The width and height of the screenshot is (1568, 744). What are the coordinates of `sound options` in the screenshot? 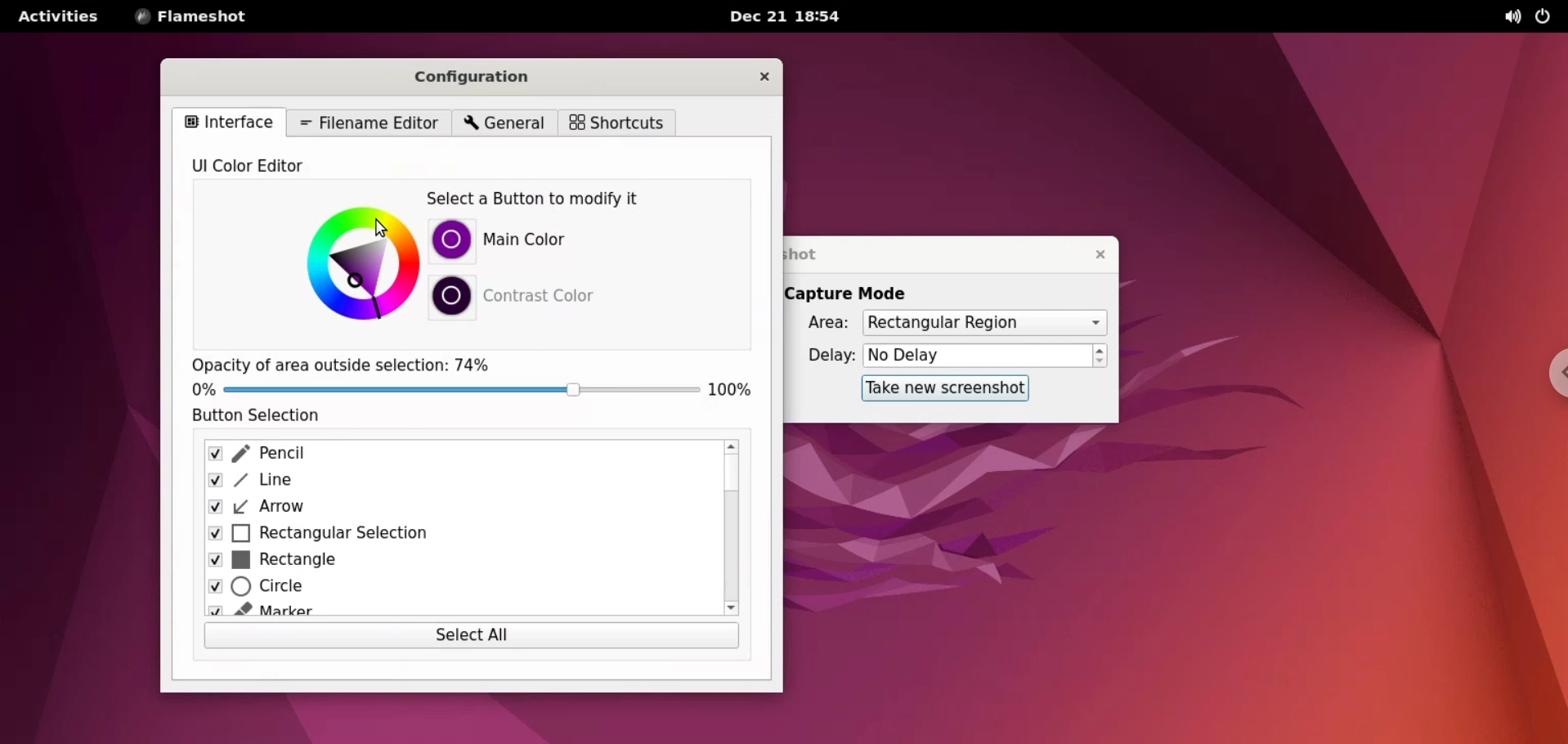 It's located at (1515, 17).